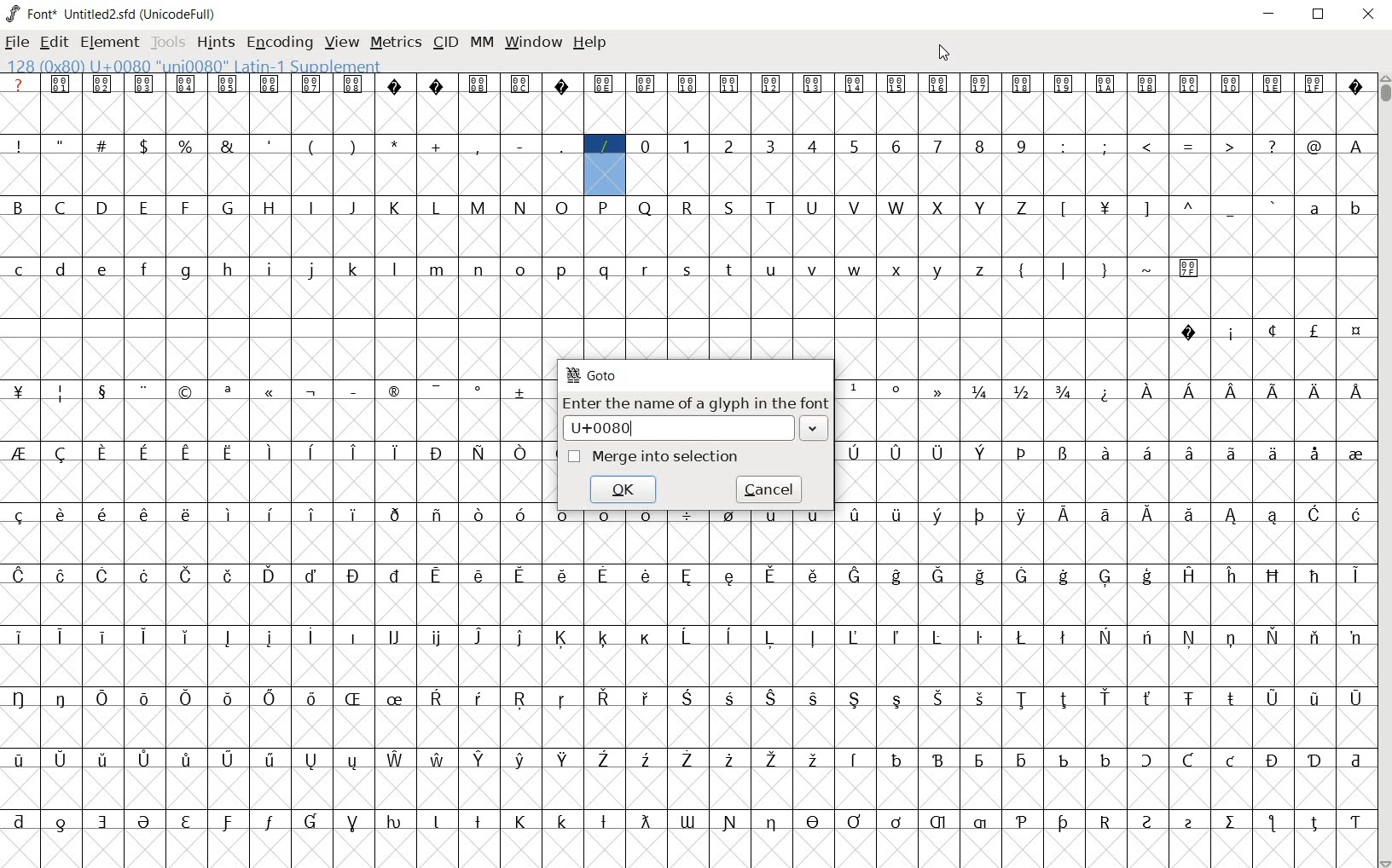  Describe the element at coordinates (270, 145) in the screenshot. I see `glyph` at that location.